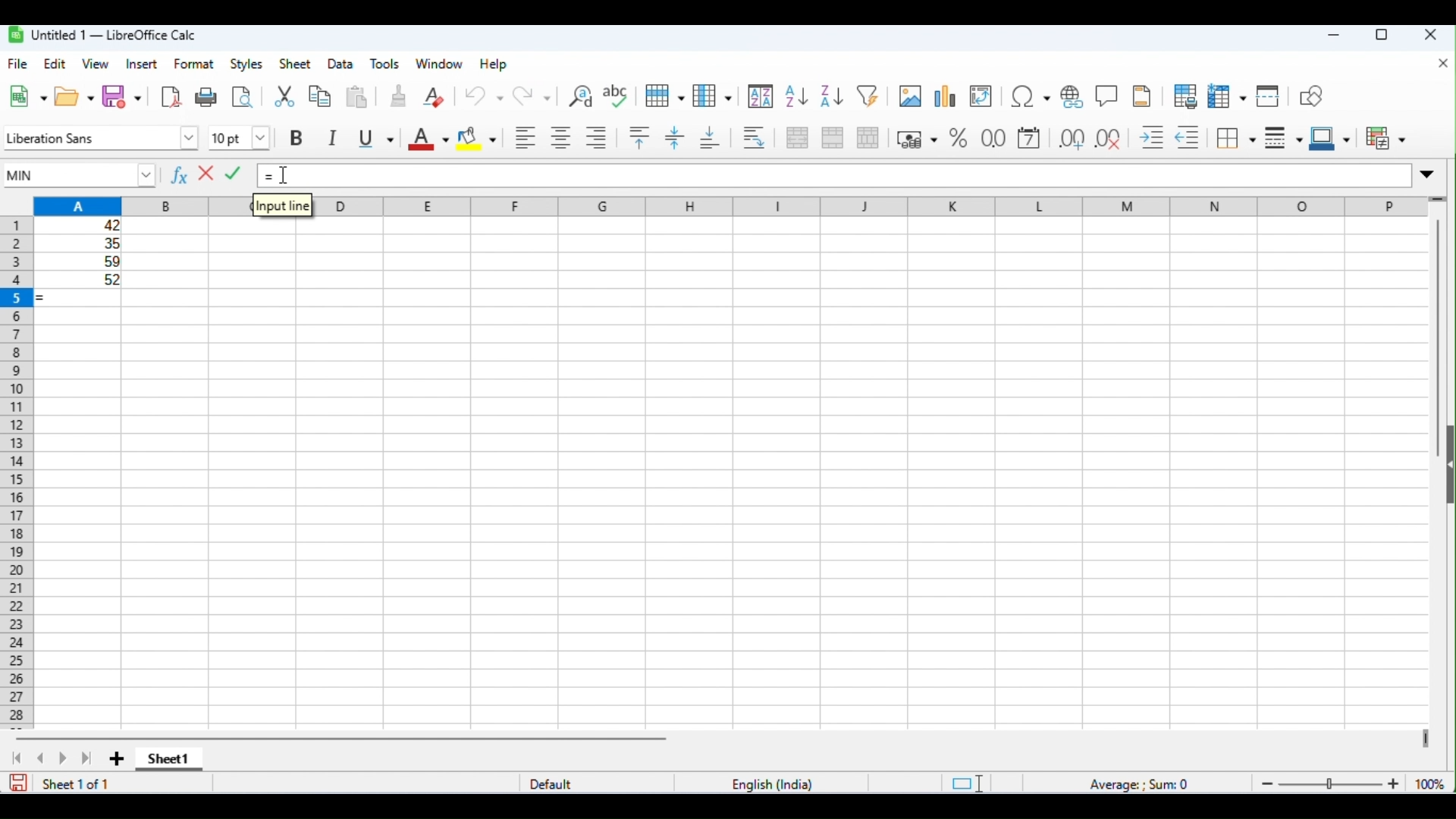  Describe the element at coordinates (181, 177) in the screenshot. I see `function wizard` at that location.